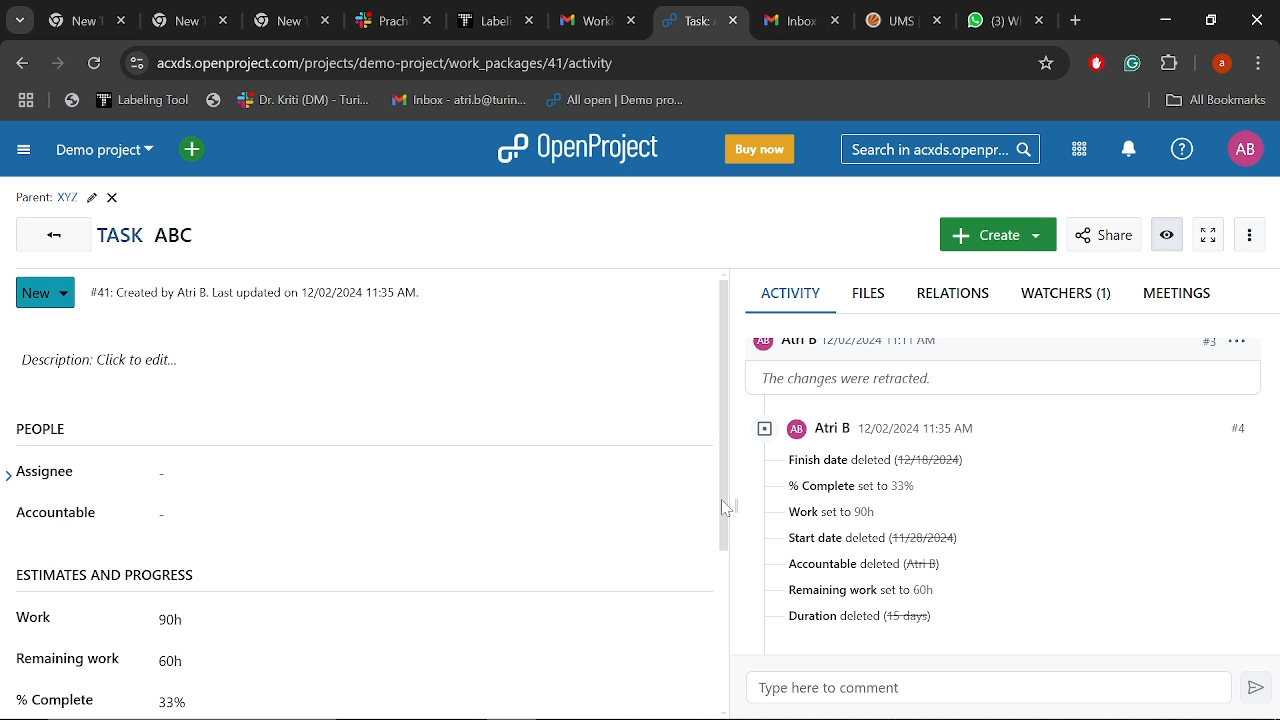 The height and width of the screenshot is (720, 1280). What do you see at coordinates (91, 198) in the screenshot?
I see `Edit task` at bounding box center [91, 198].